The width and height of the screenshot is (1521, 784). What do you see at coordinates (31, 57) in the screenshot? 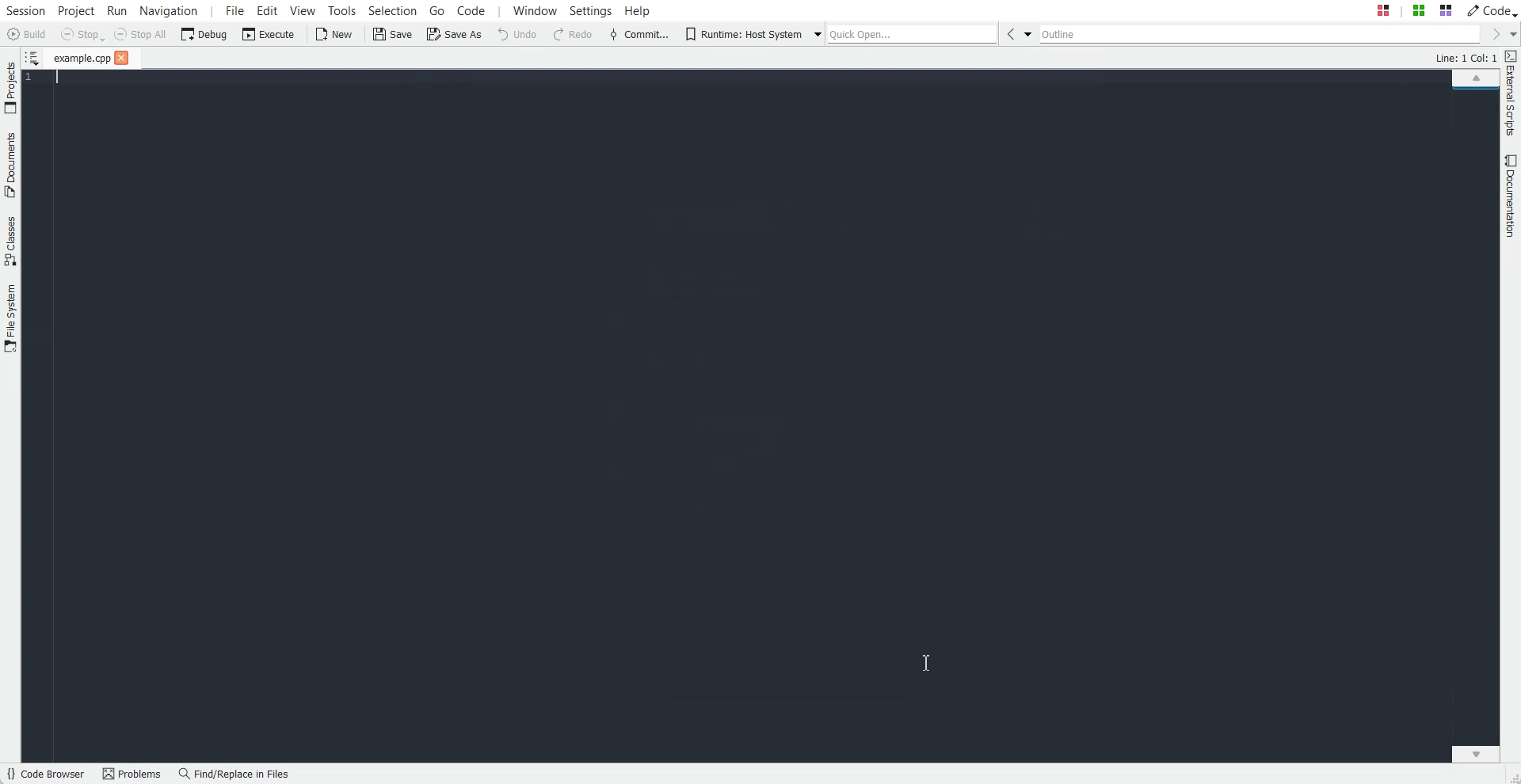
I see `Show sorted List` at bounding box center [31, 57].